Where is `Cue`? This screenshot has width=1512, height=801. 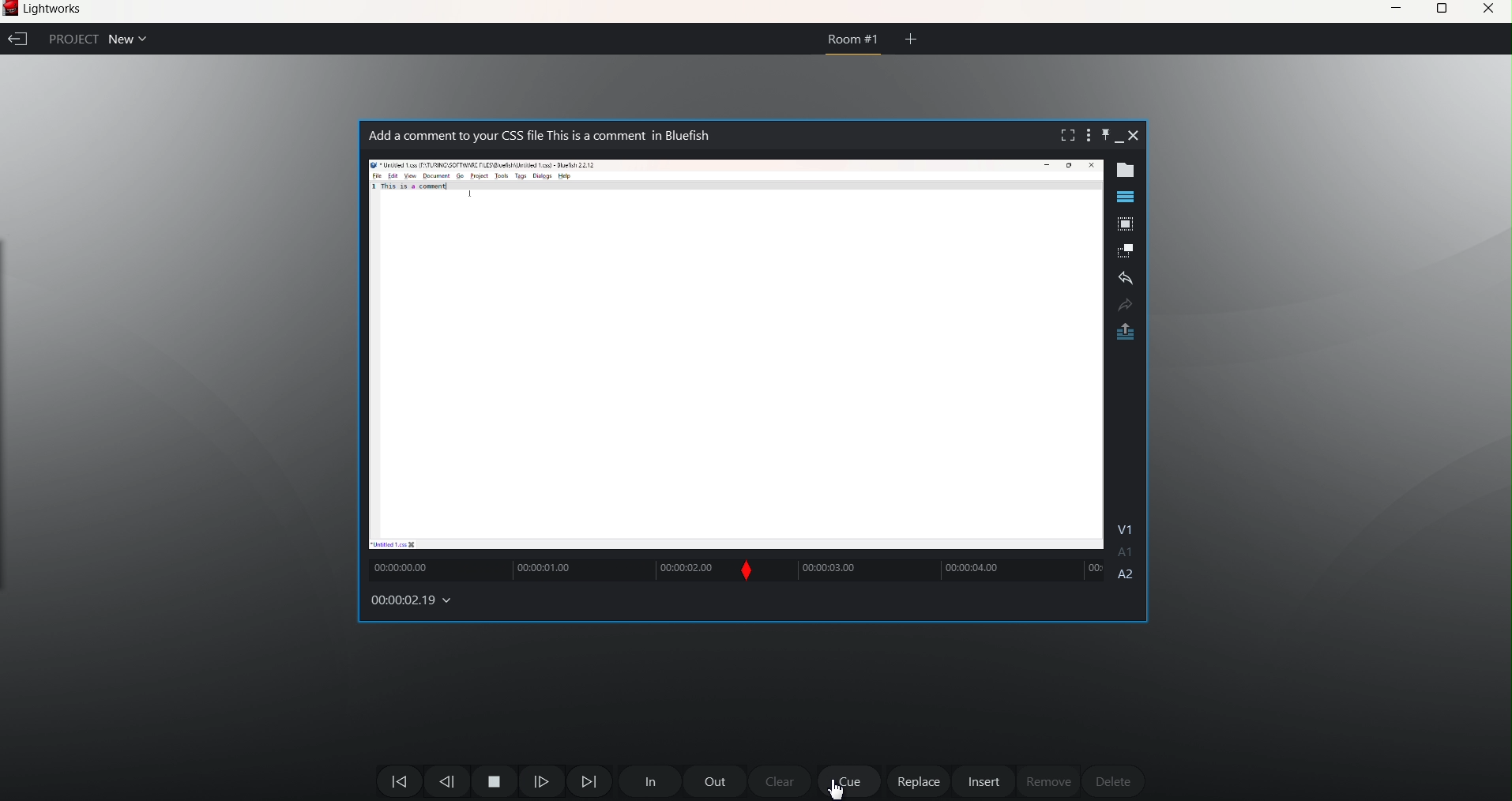
Cue is located at coordinates (852, 782).